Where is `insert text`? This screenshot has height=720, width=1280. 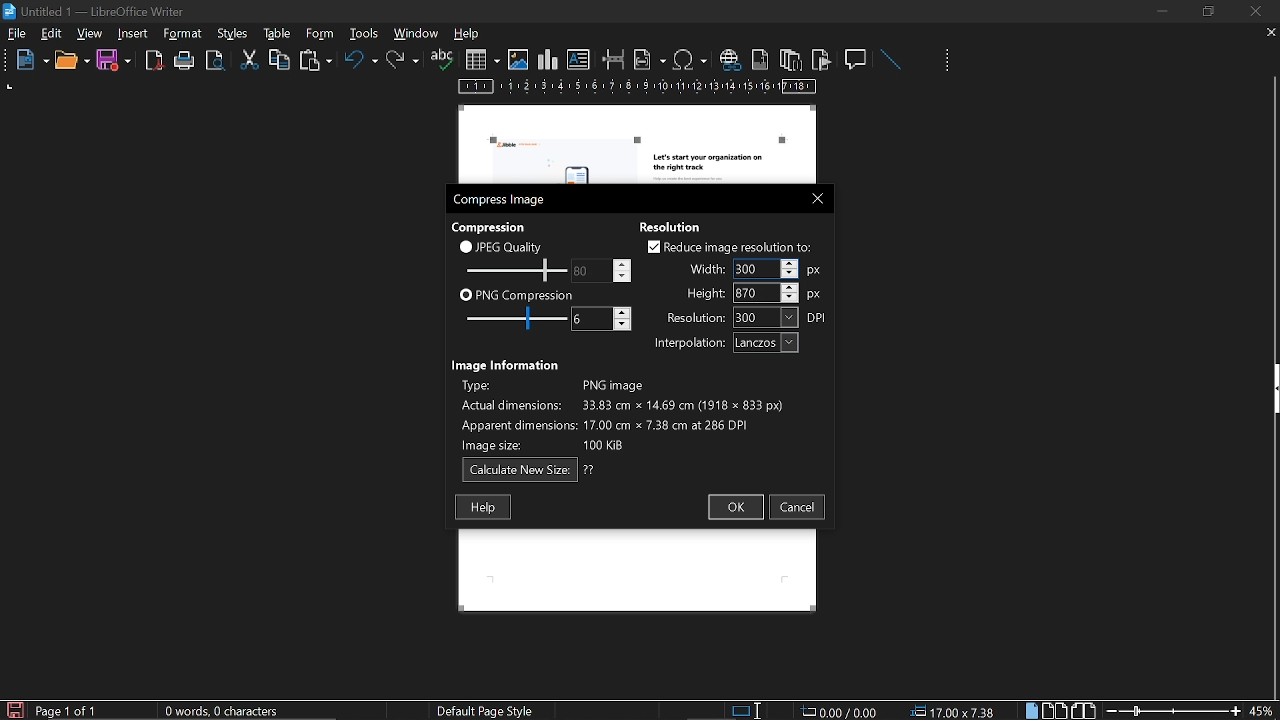
insert text is located at coordinates (579, 60).